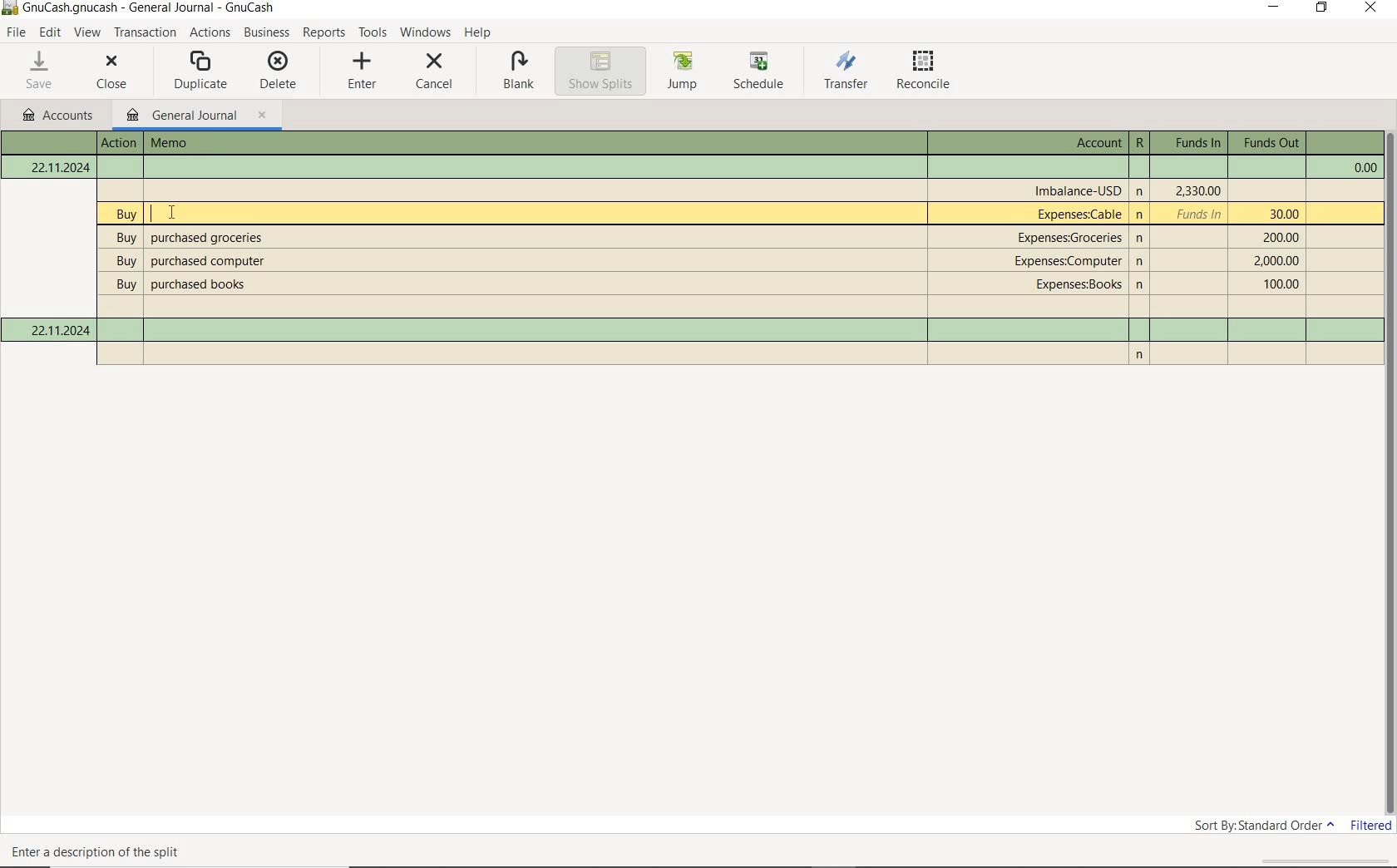 This screenshot has height=868, width=1397. What do you see at coordinates (693, 167) in the screenshot?
I see `Text` at bounding box center [693, 167].